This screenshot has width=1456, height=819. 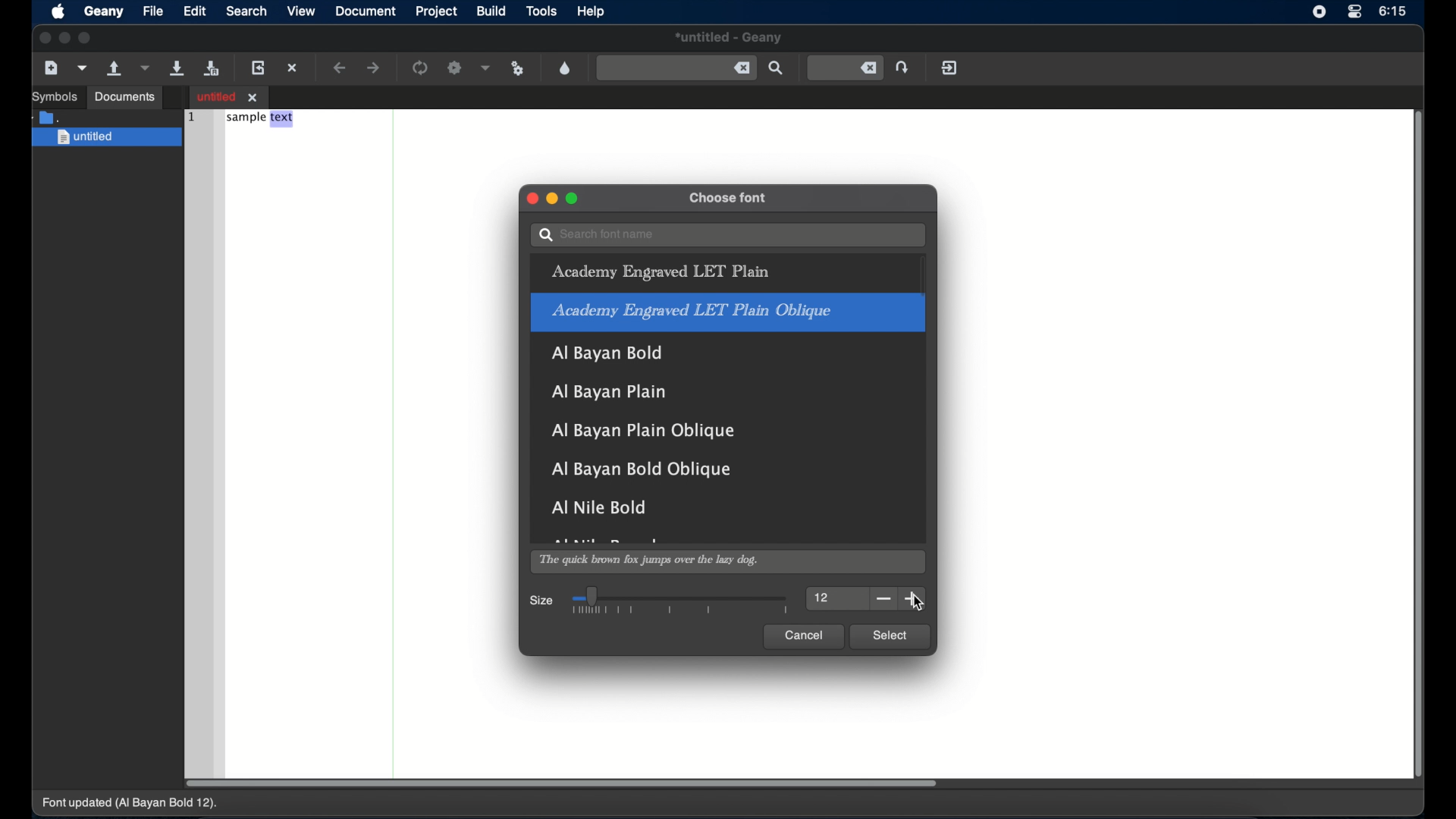 What do you see at coordinates (395, 440) in the screenshot?
I see `divider` at bounding box center [395, 440].